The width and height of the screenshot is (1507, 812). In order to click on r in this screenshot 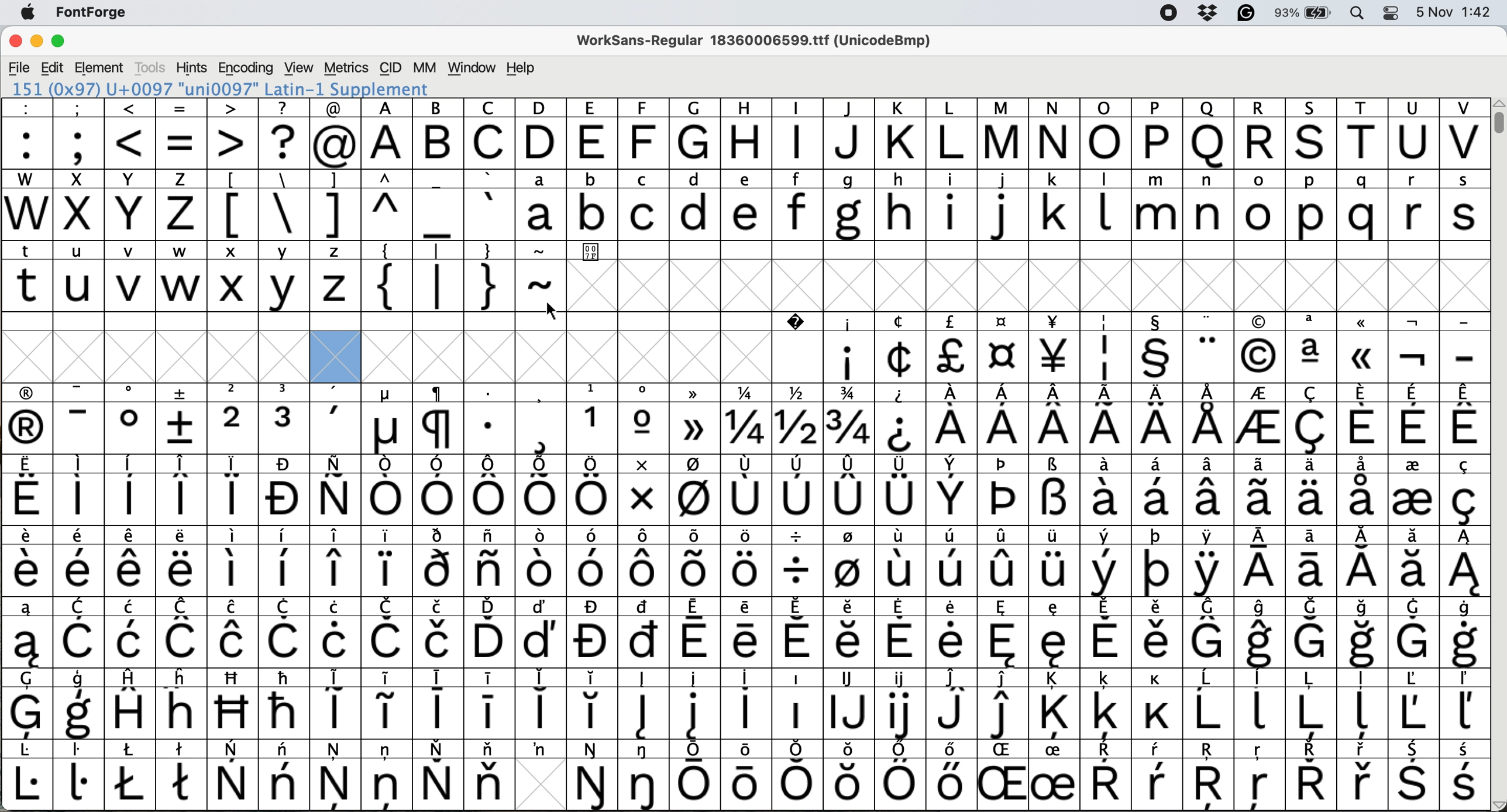, I will do `click(1412, 205)`.